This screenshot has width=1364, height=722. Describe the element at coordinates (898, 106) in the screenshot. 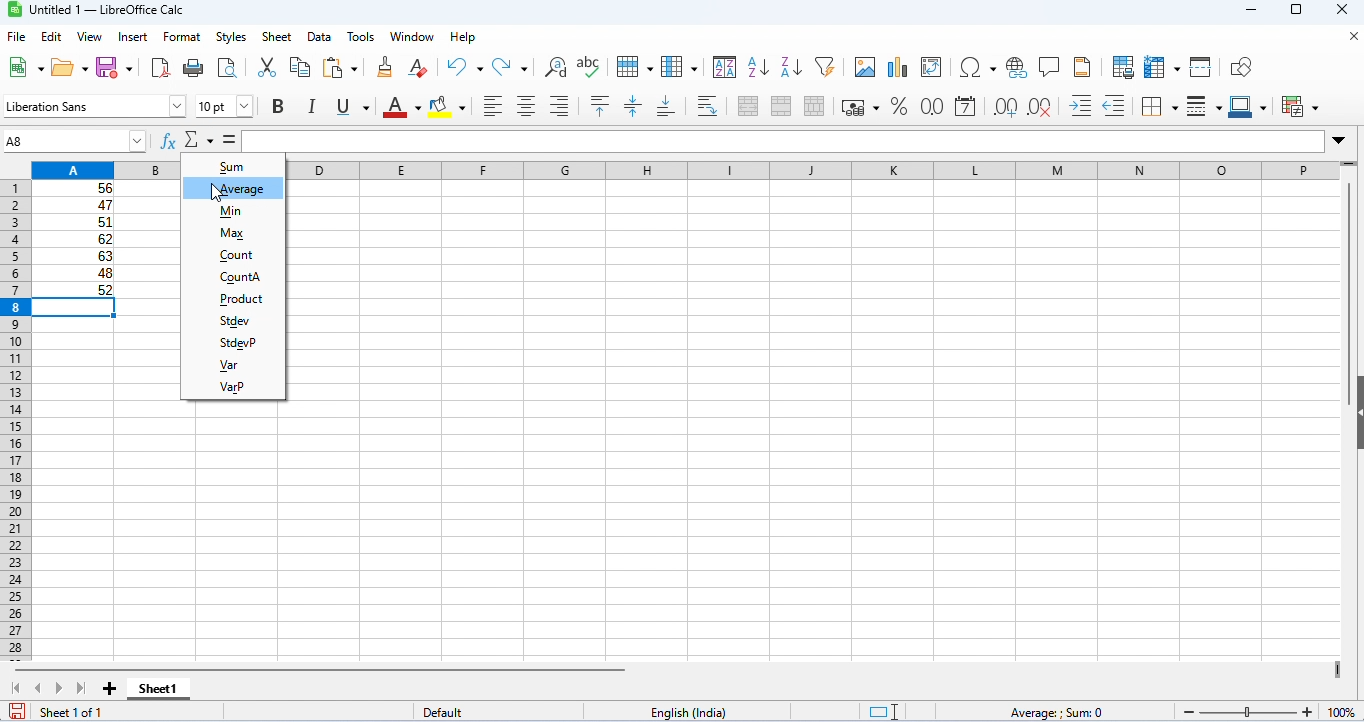

I see `format as percent` at that location.